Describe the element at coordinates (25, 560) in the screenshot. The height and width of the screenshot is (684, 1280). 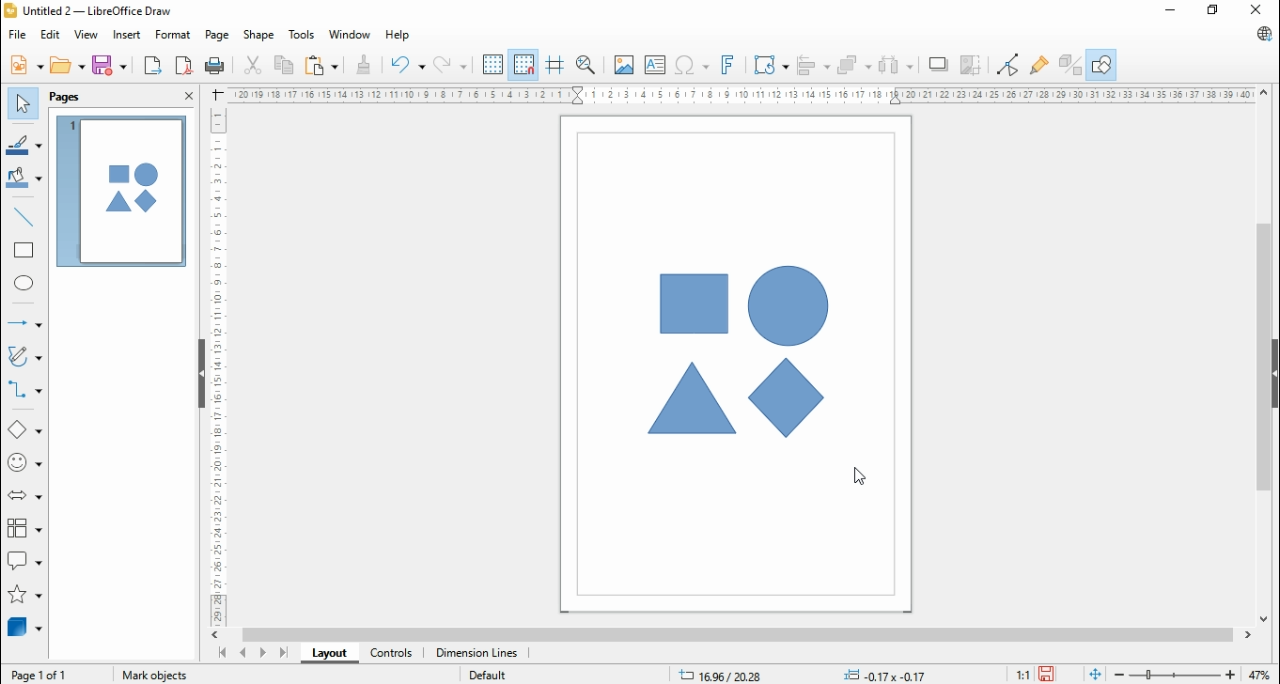
I see `callout shapes` at that location.